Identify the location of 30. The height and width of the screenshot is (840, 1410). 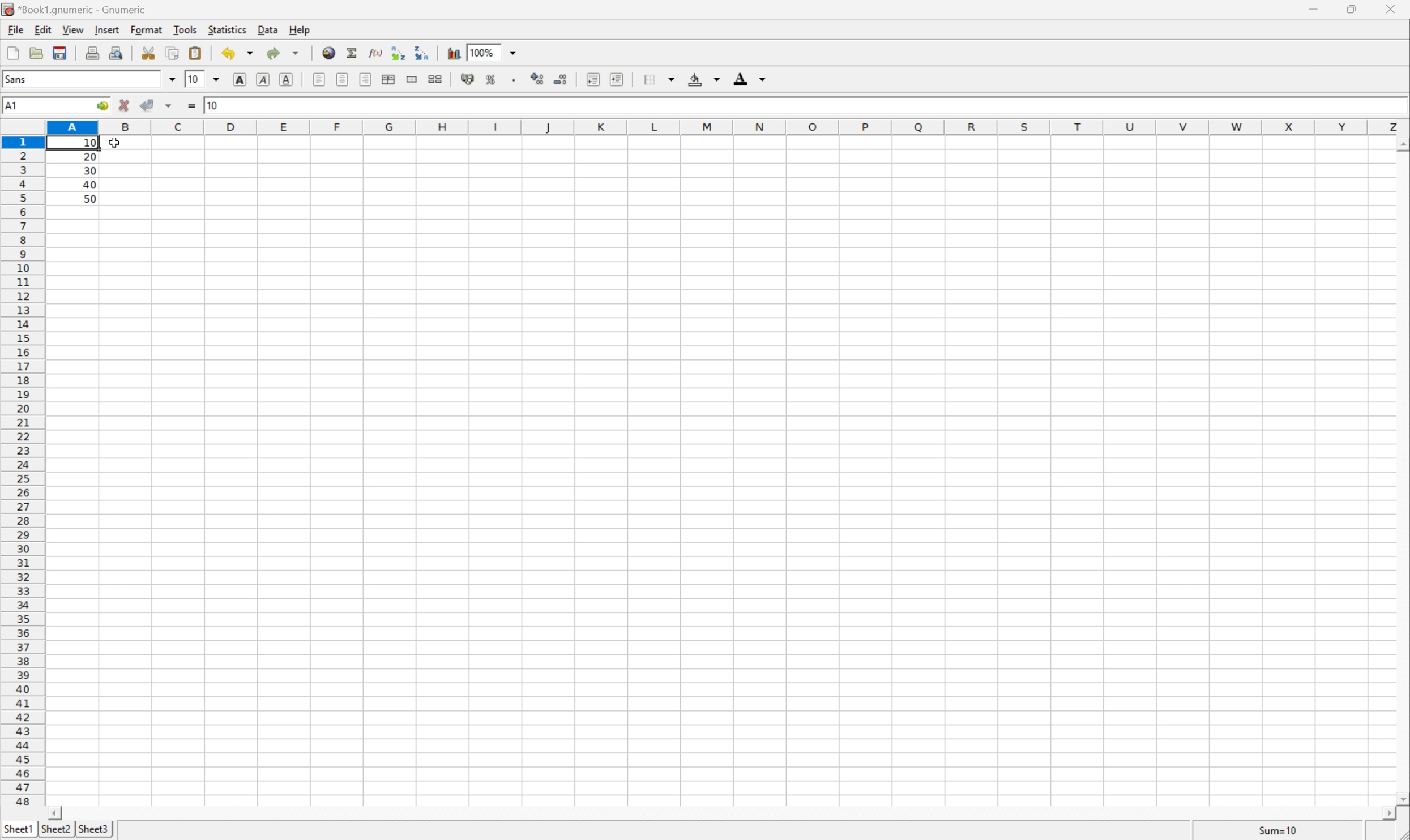
(91, 170).